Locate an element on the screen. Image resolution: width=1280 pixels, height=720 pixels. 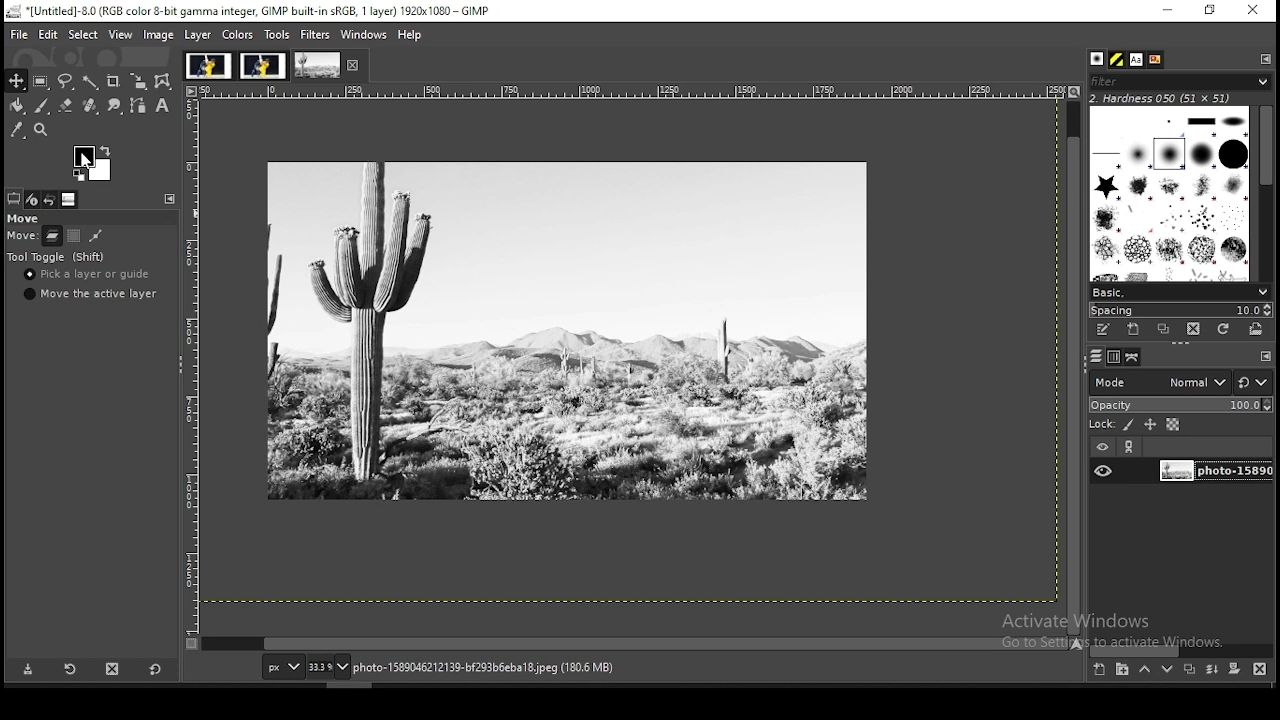
reload tool preset is located at coordinates (72, 668).